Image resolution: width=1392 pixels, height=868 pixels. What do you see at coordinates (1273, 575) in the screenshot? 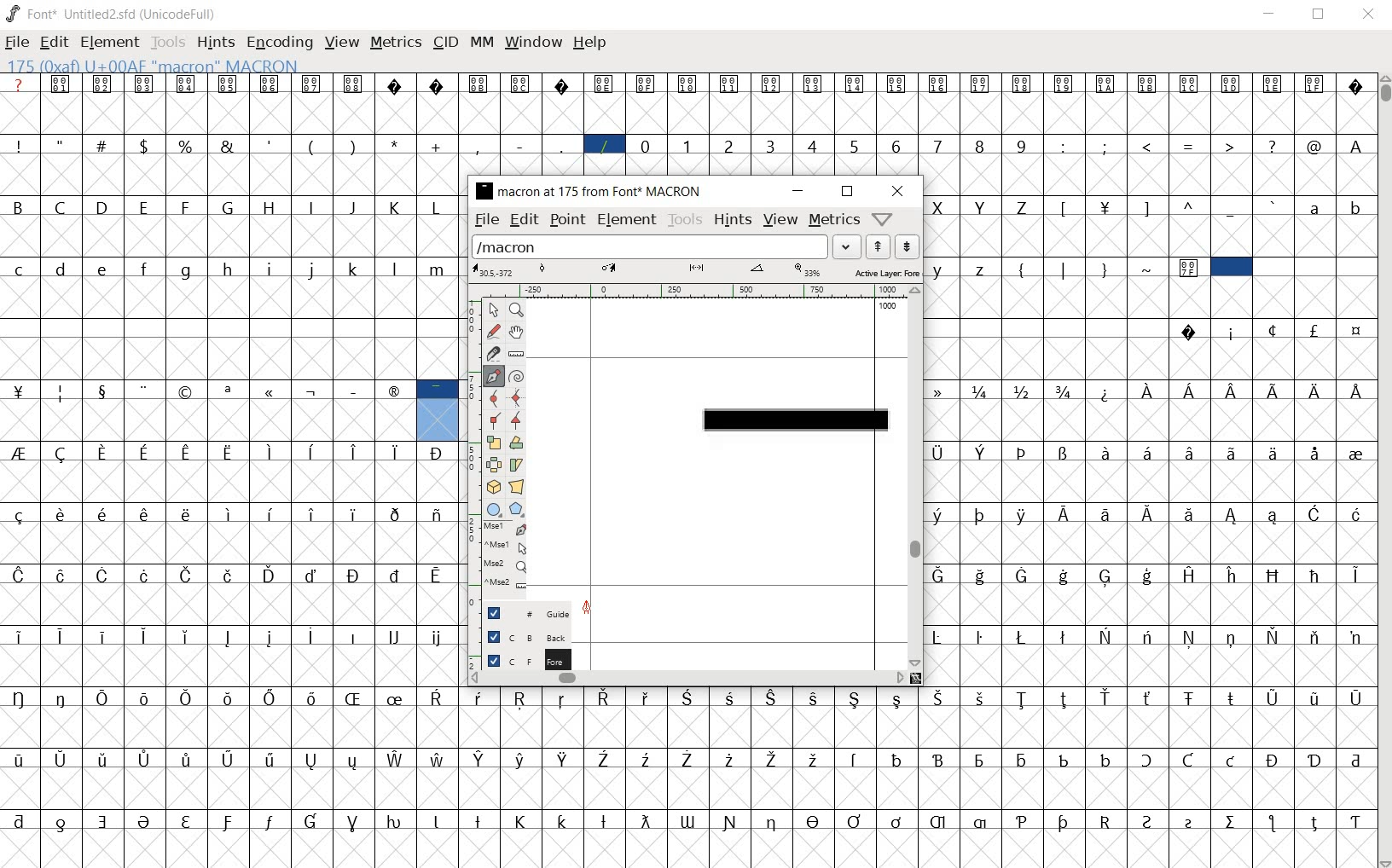
I see `Symbol` at bounding box center [1273, 575].